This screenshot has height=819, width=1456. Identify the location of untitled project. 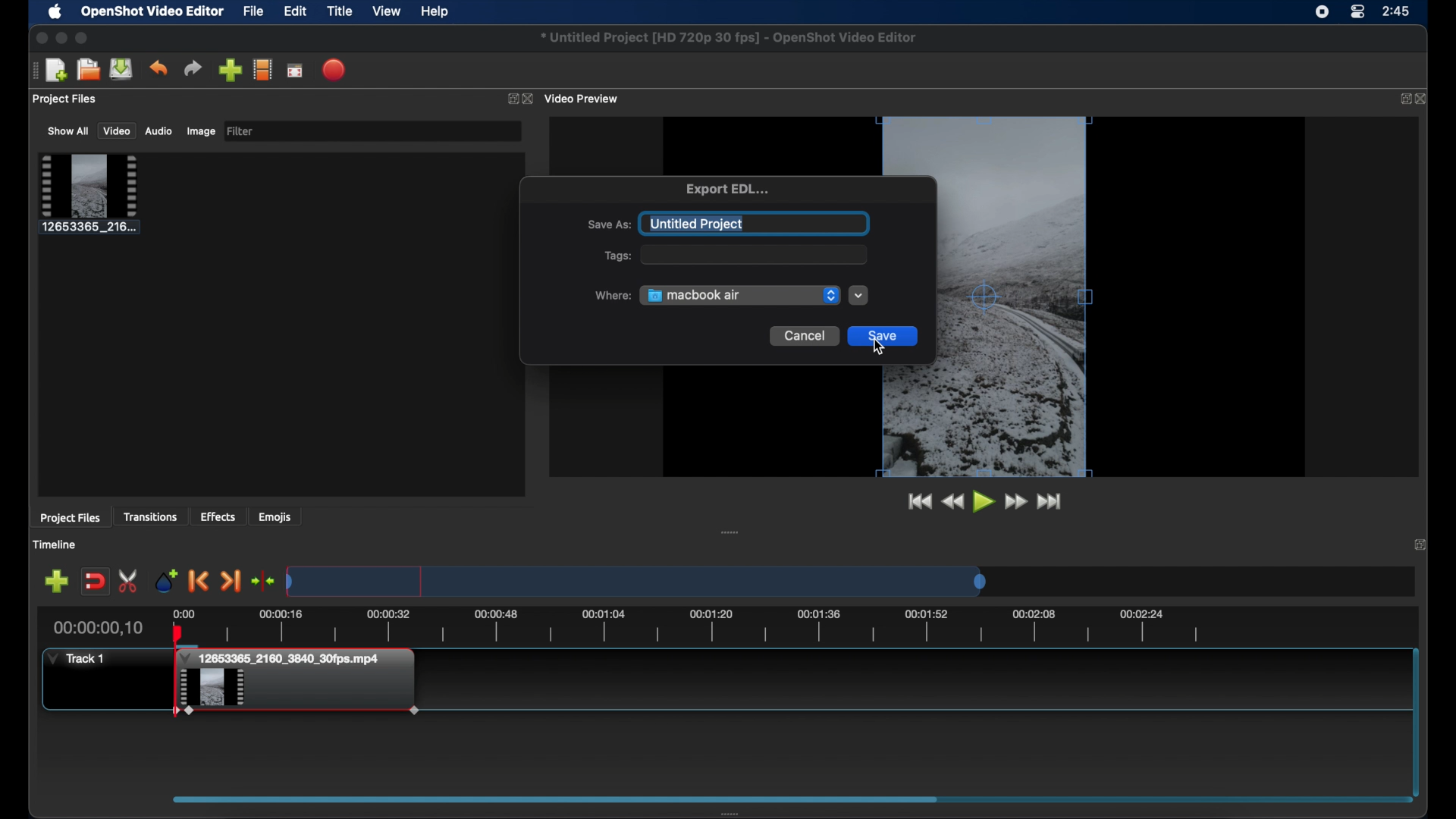
(698, 222).